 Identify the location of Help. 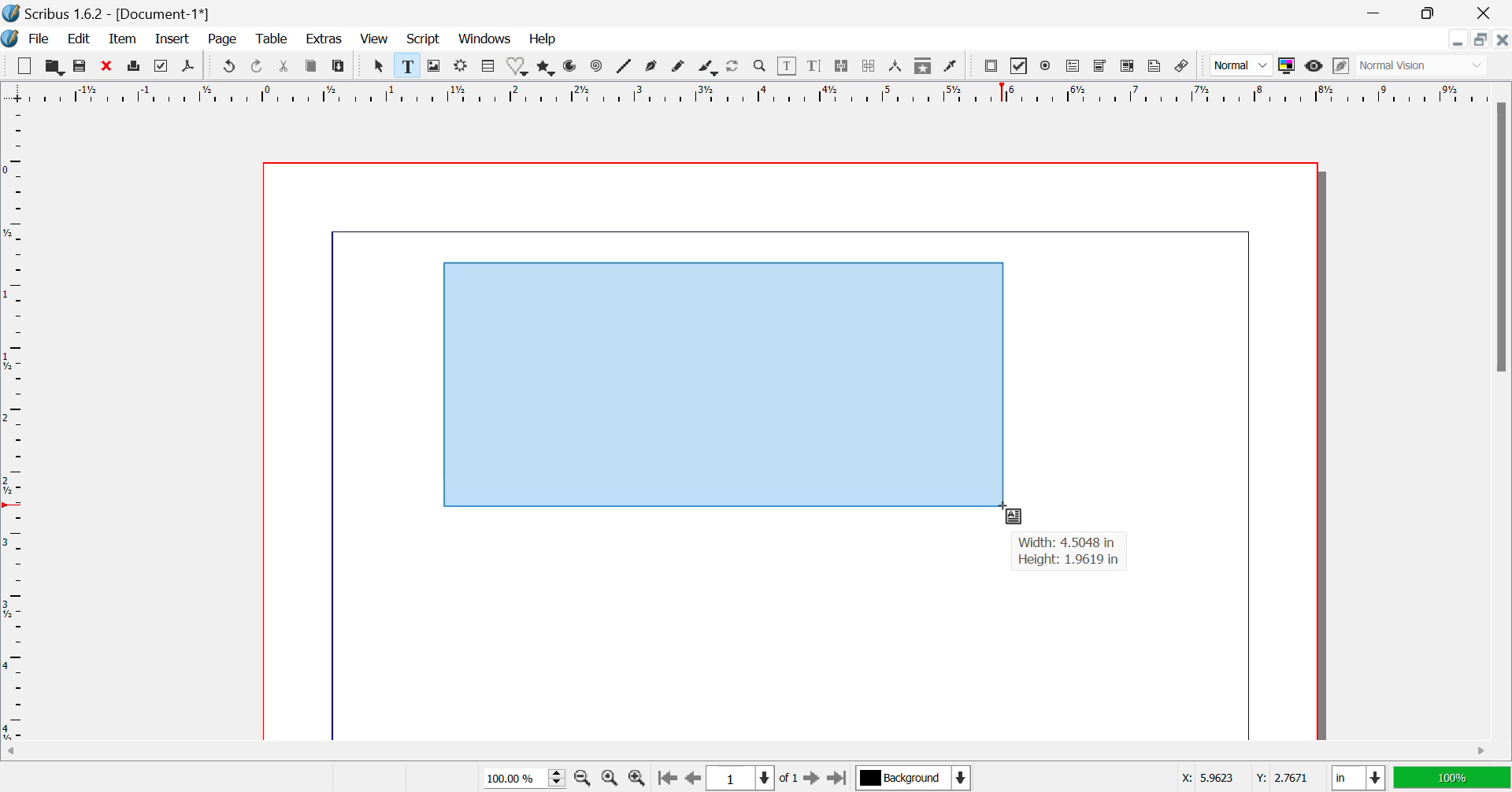
(543, 40).